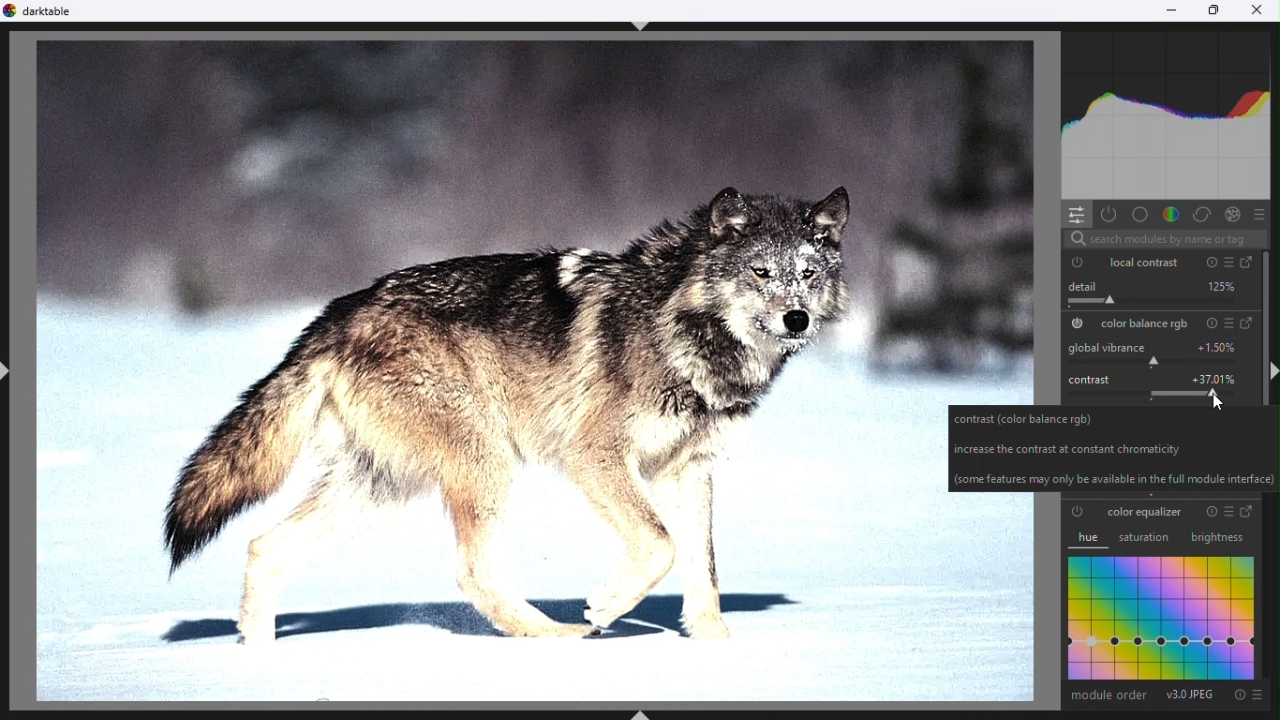 This screenshot has width=1280, height=720. Describe the element at coordinates (1216, 401) in the screenshot. I see `cursor` at that location.